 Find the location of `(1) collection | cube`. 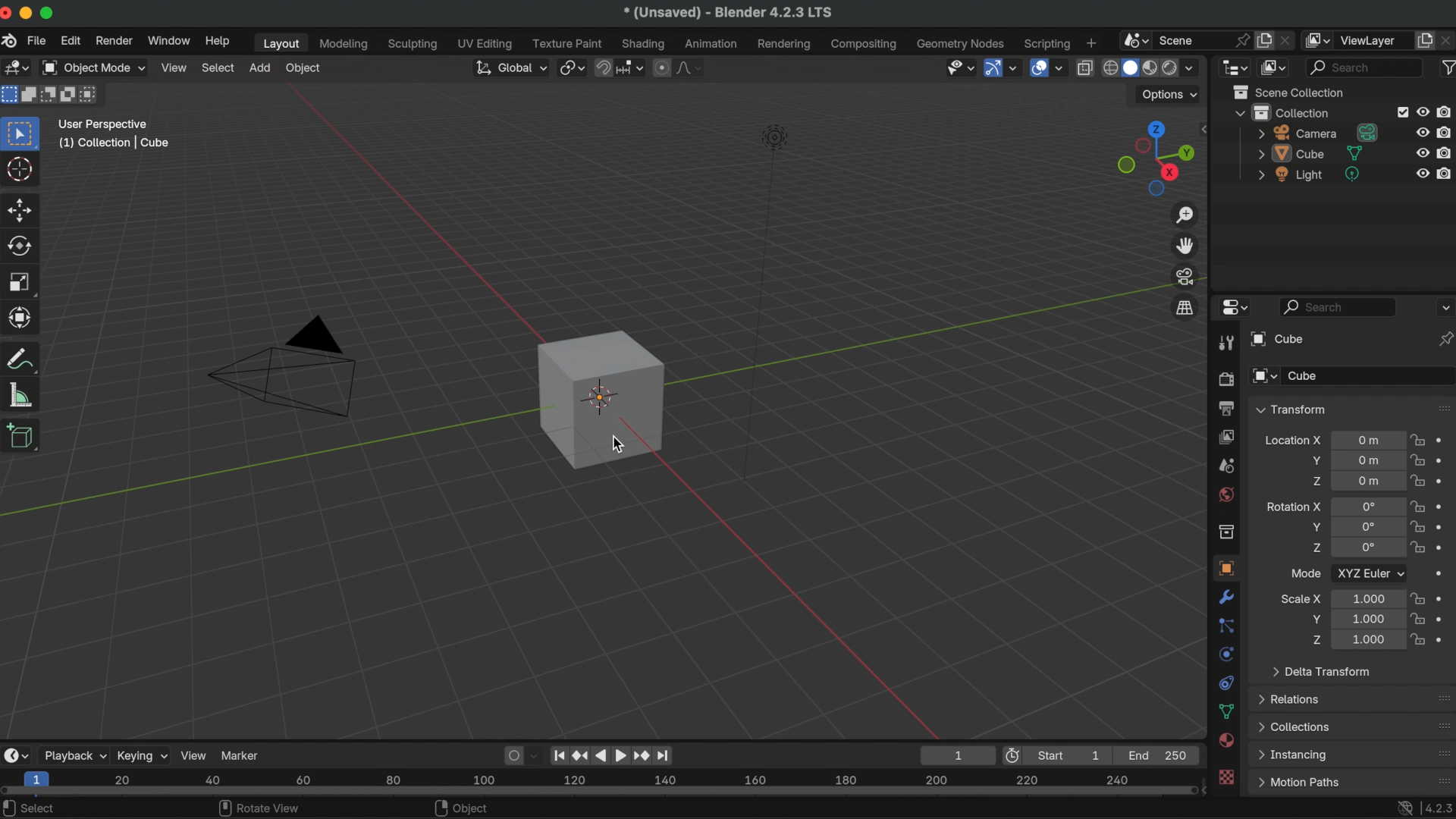

(1) collection | cube is located at coordinates (114, 143).